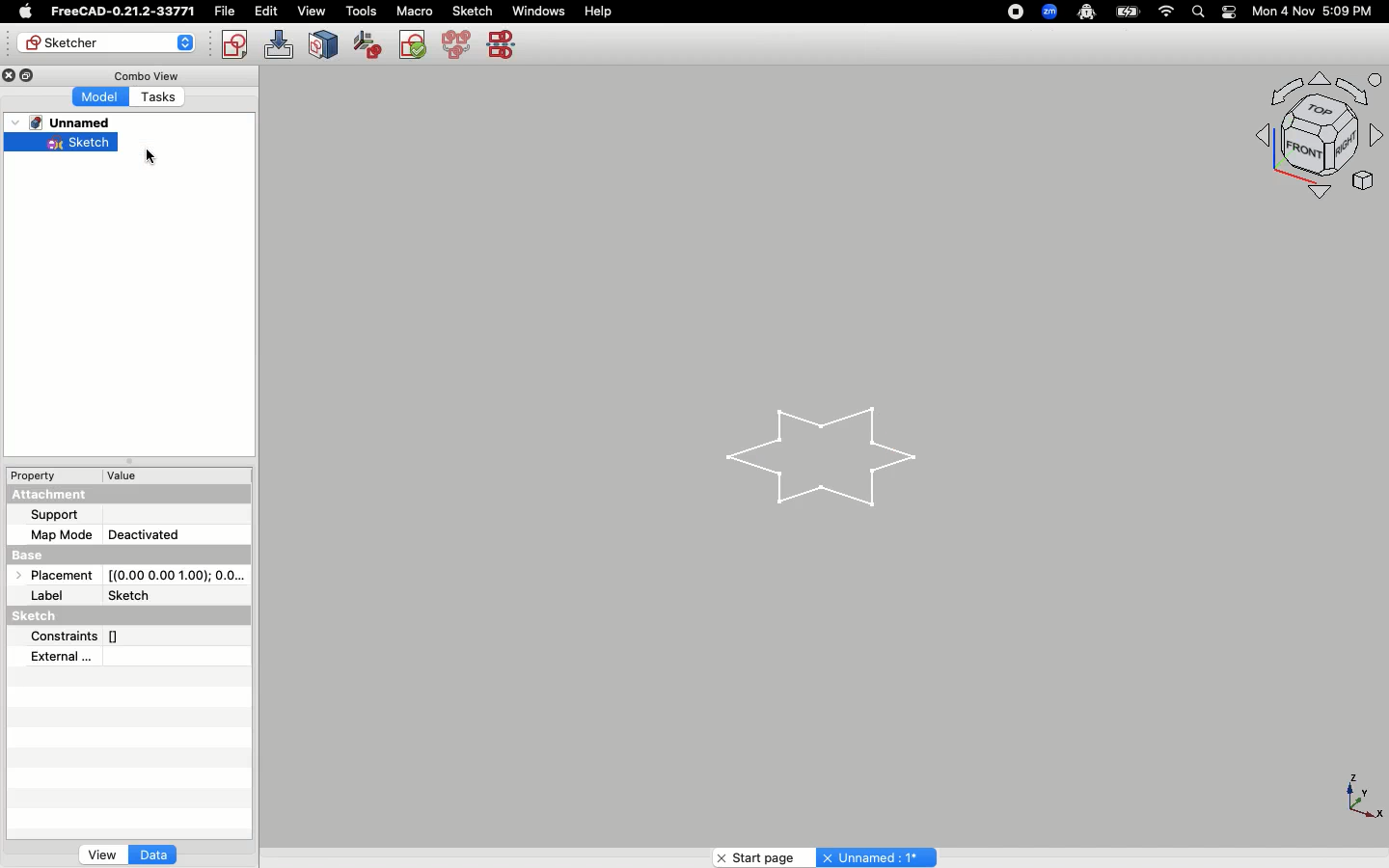 The height and width of the screenshot is (868, 1389). I want to click on Sketch, so click(61, 143).